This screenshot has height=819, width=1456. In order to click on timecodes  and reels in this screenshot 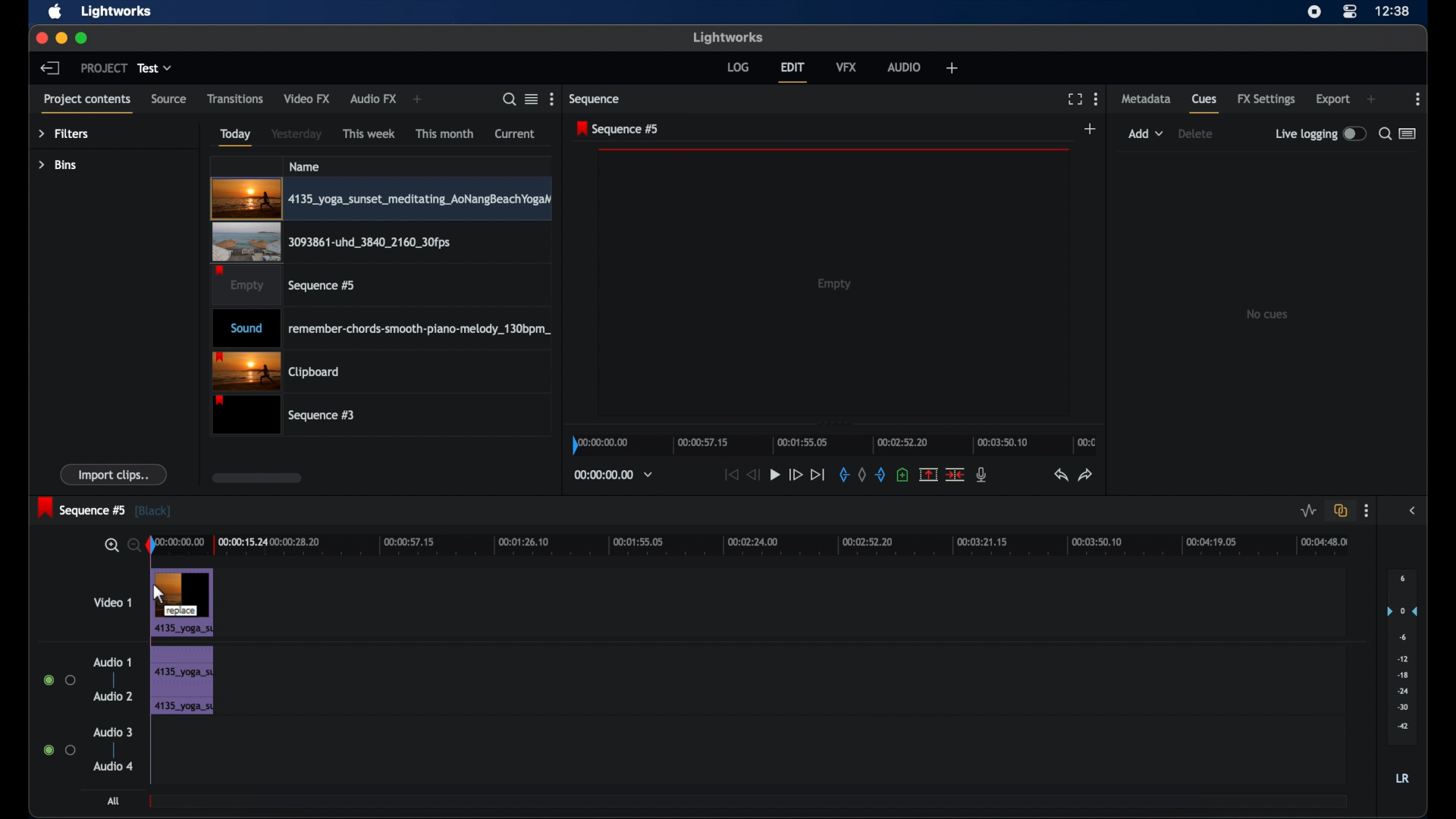, I will do `click(614, 475)`.